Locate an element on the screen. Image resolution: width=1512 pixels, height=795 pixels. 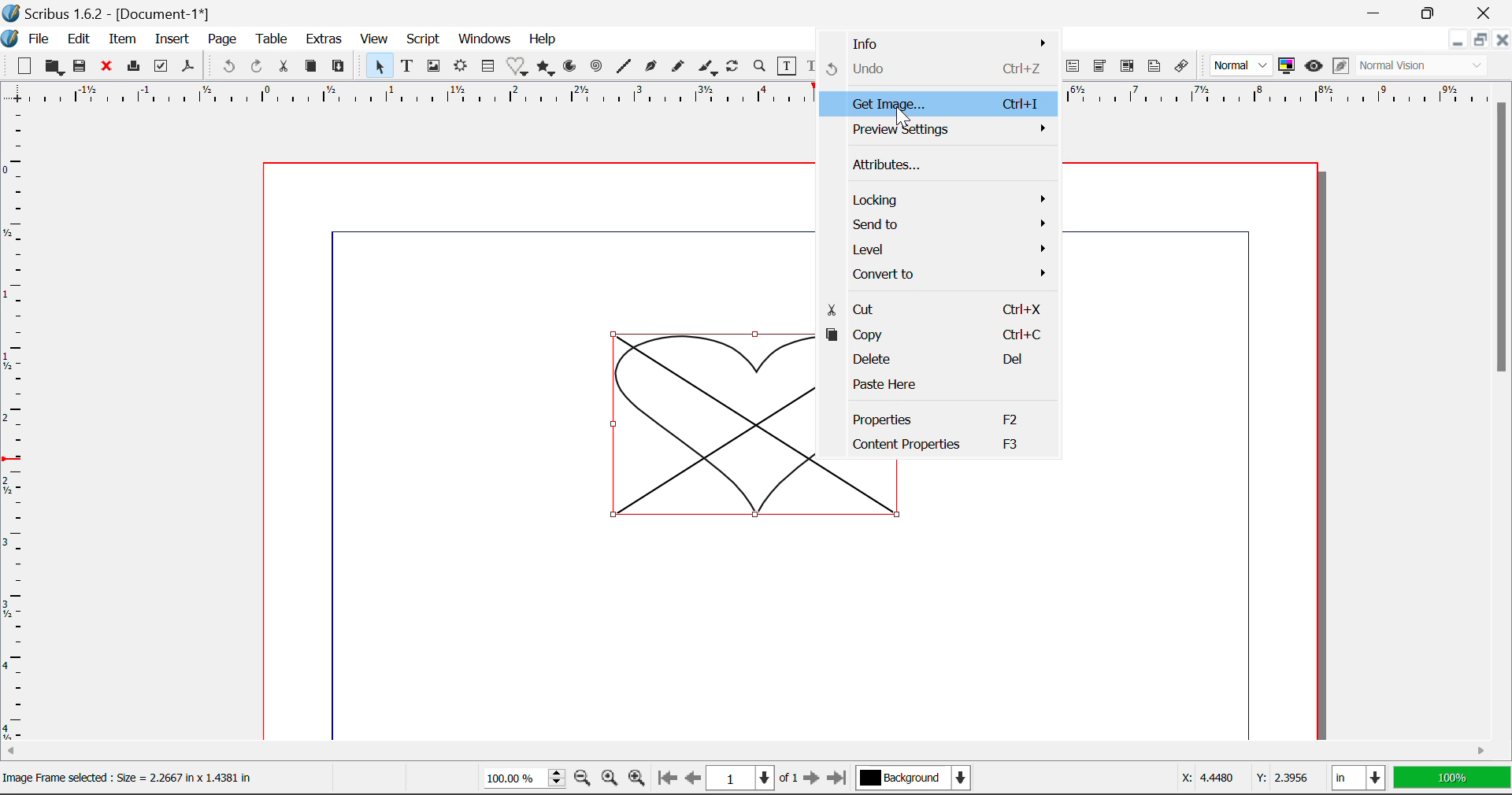
Send to is located at coordinates (942, 224).